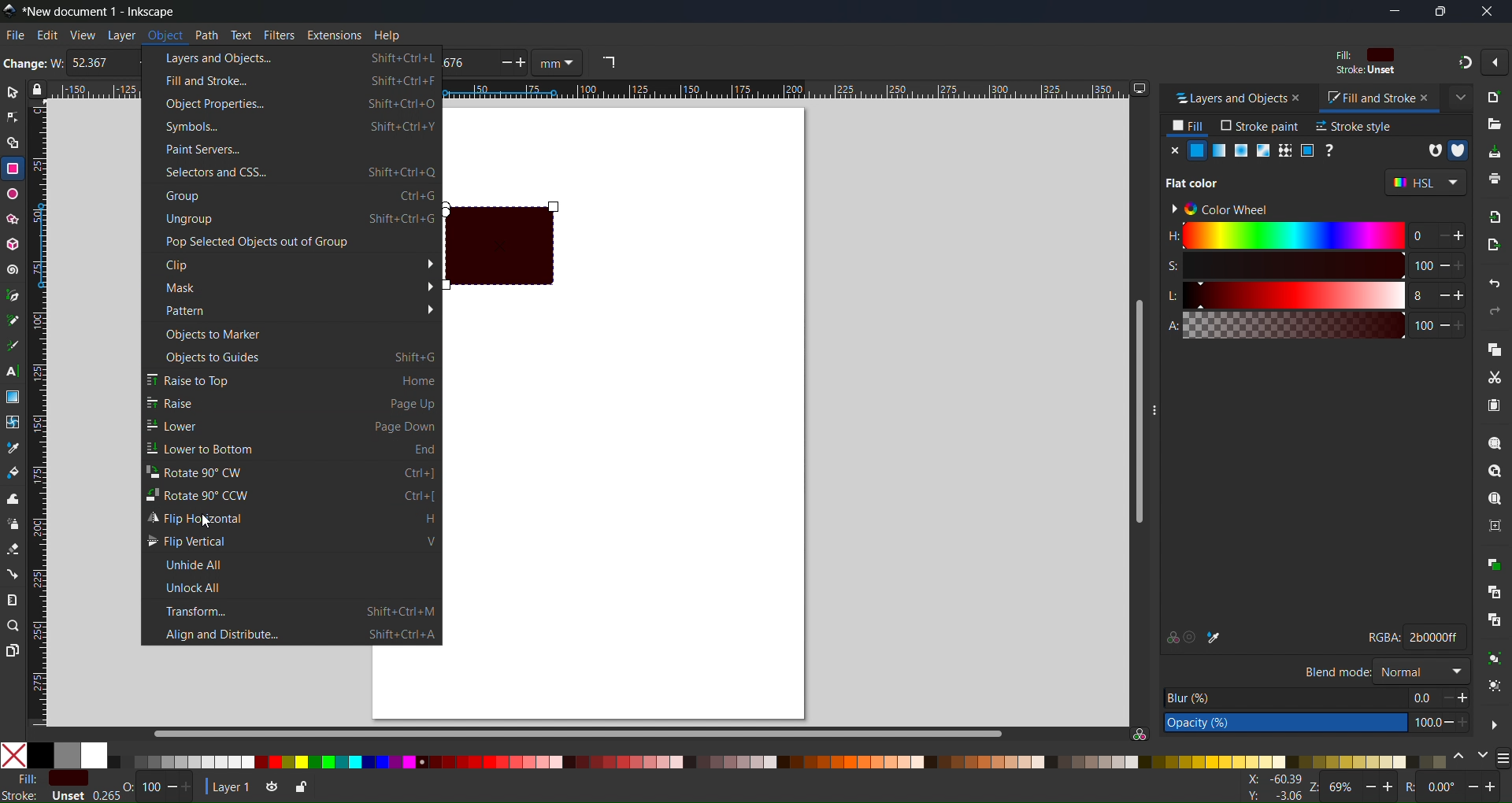  Describe the element at coordinates (1494, 121) in the screenshot. I see `Open file dailogue` at that location.